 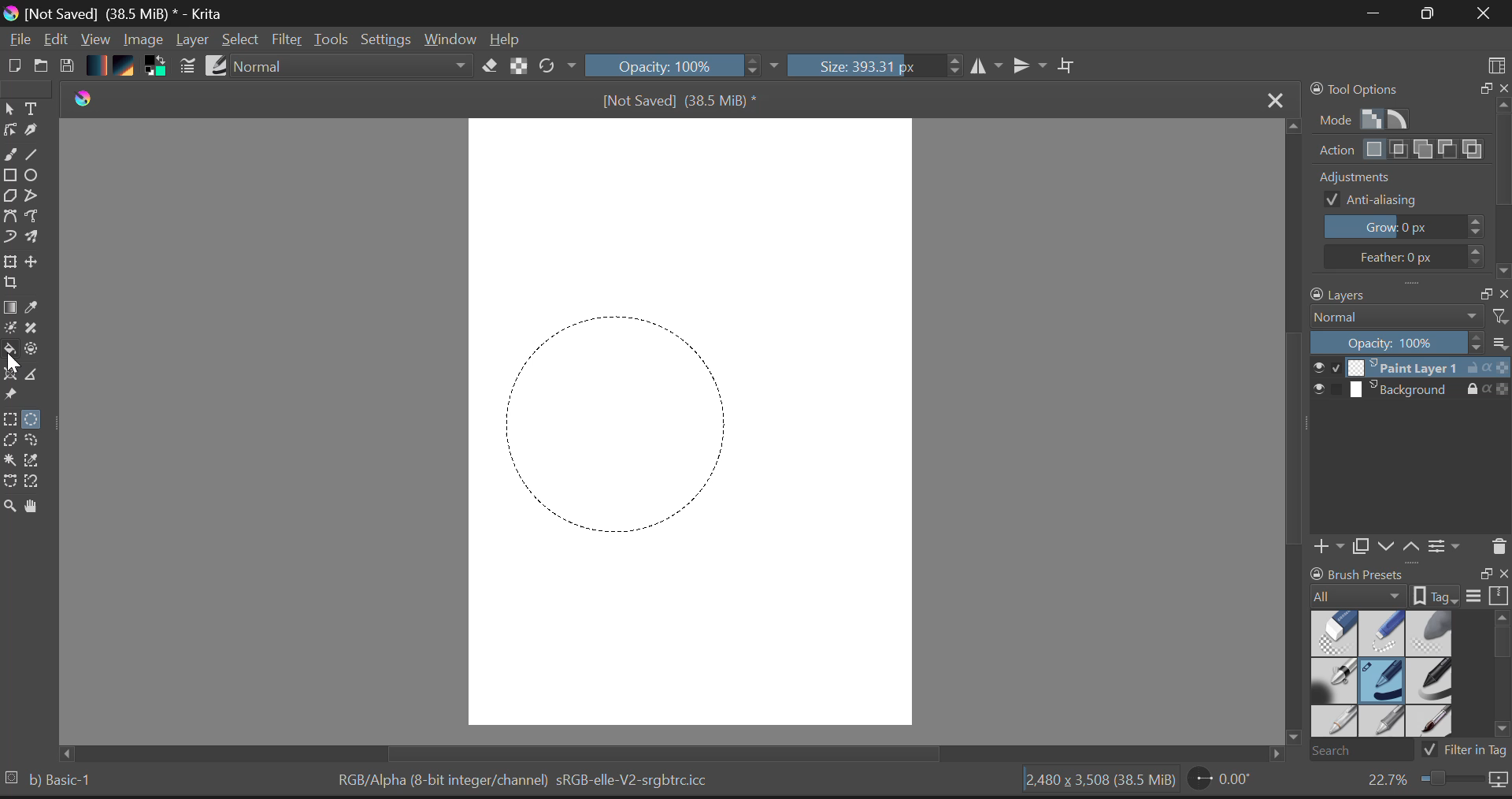 What do you see at coordinates (41, 442) in the screenshot?
I see `Freehand Selection` at bounding box center [41, 442].